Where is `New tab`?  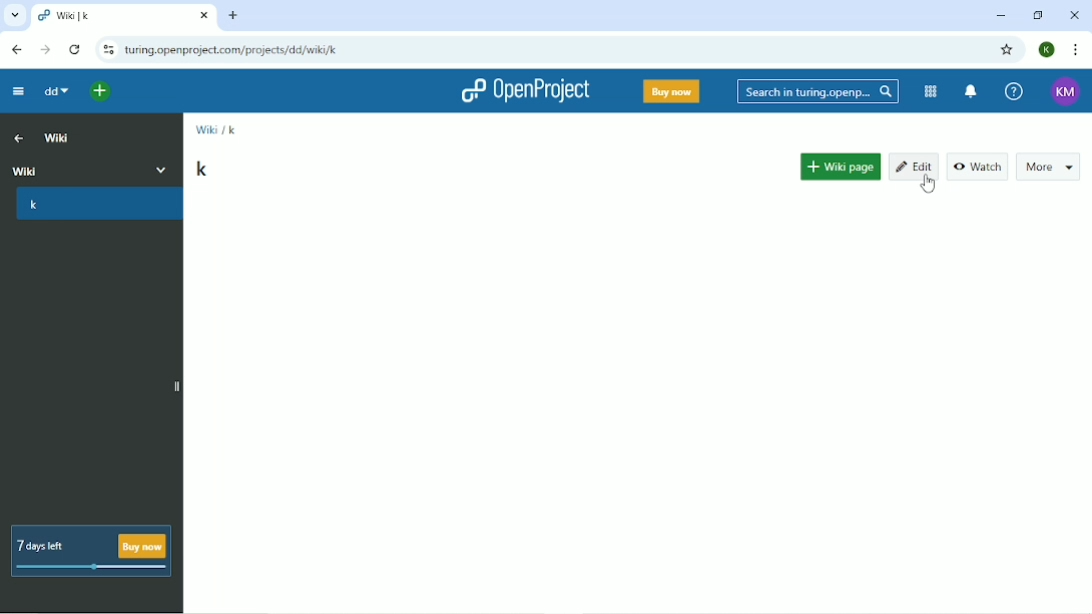
New tab is located at coordinates (235, 15).